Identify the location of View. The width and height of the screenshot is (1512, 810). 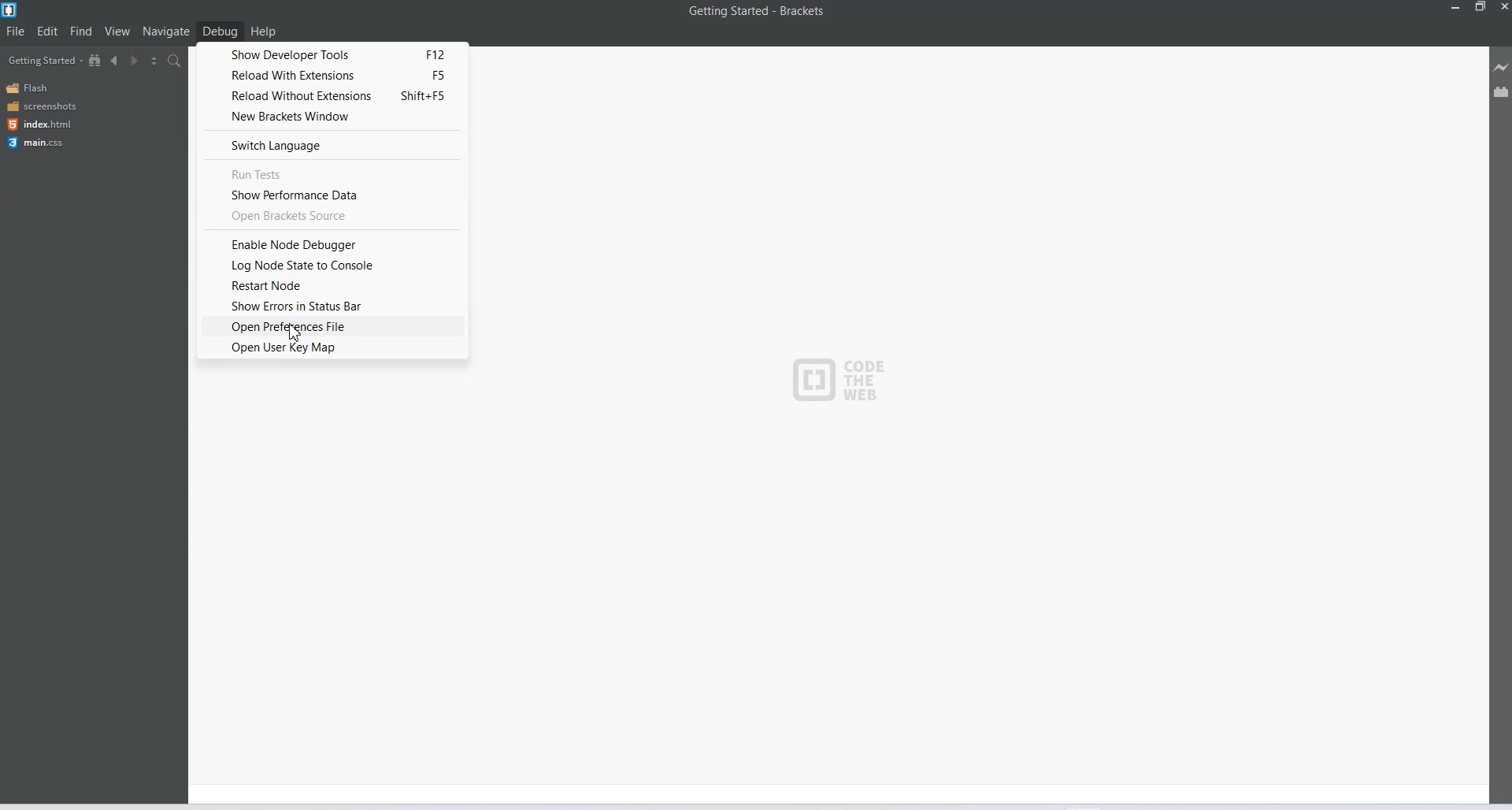
(118, 31).